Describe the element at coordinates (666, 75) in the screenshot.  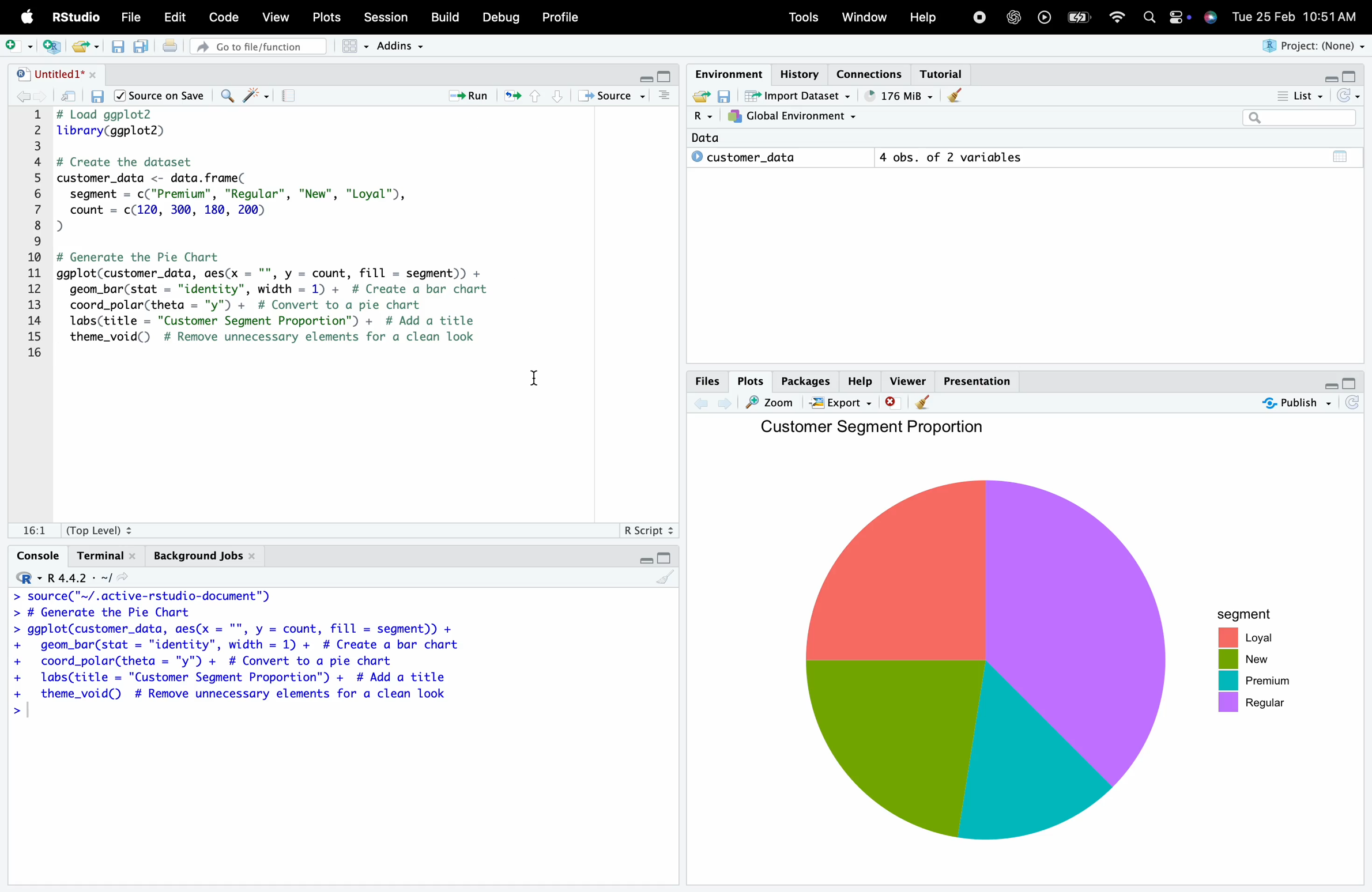
I see `maximise` at that location.